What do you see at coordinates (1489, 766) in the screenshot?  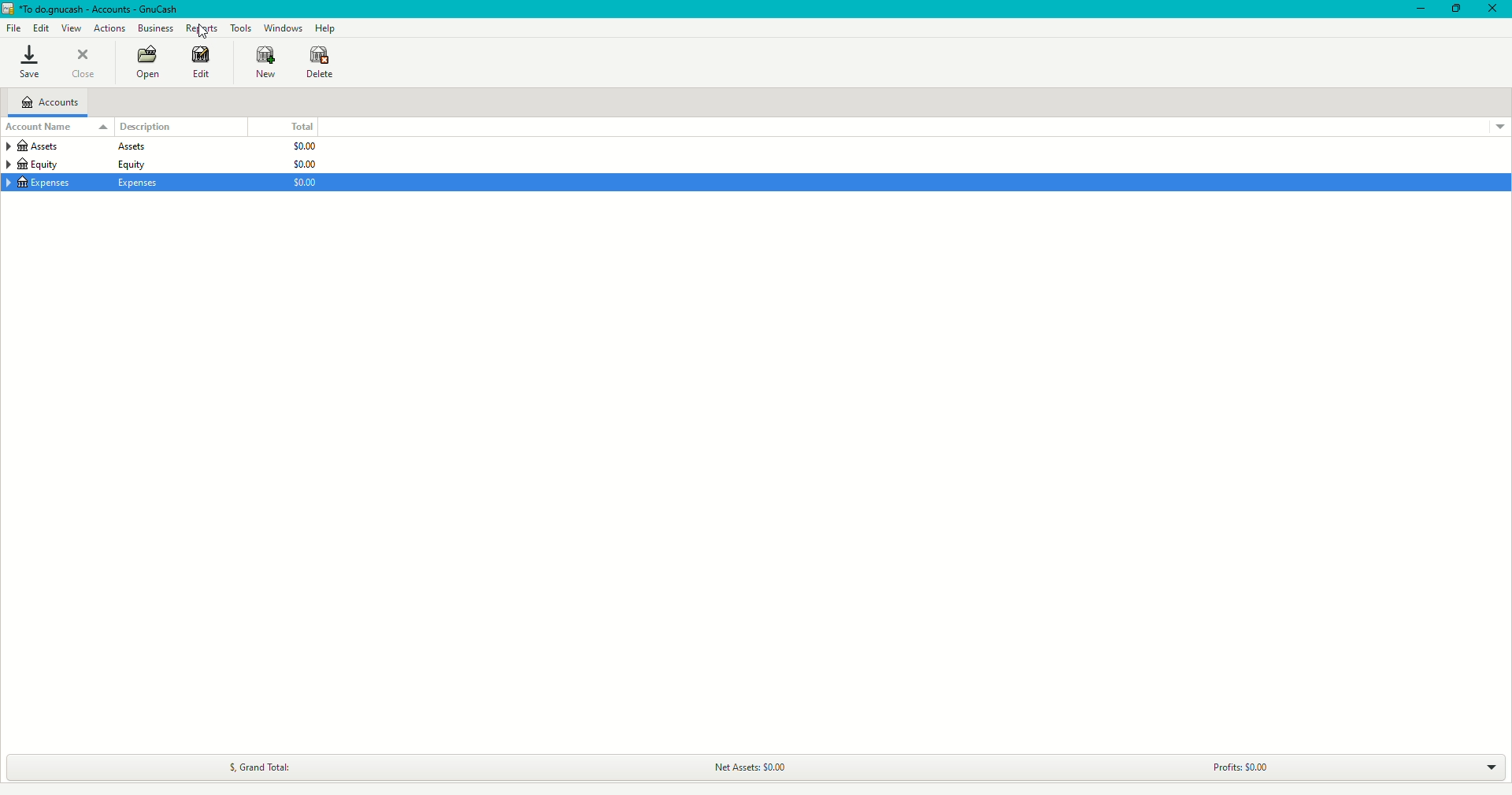 I see `Drop down` at bounding box center [1489, 766].